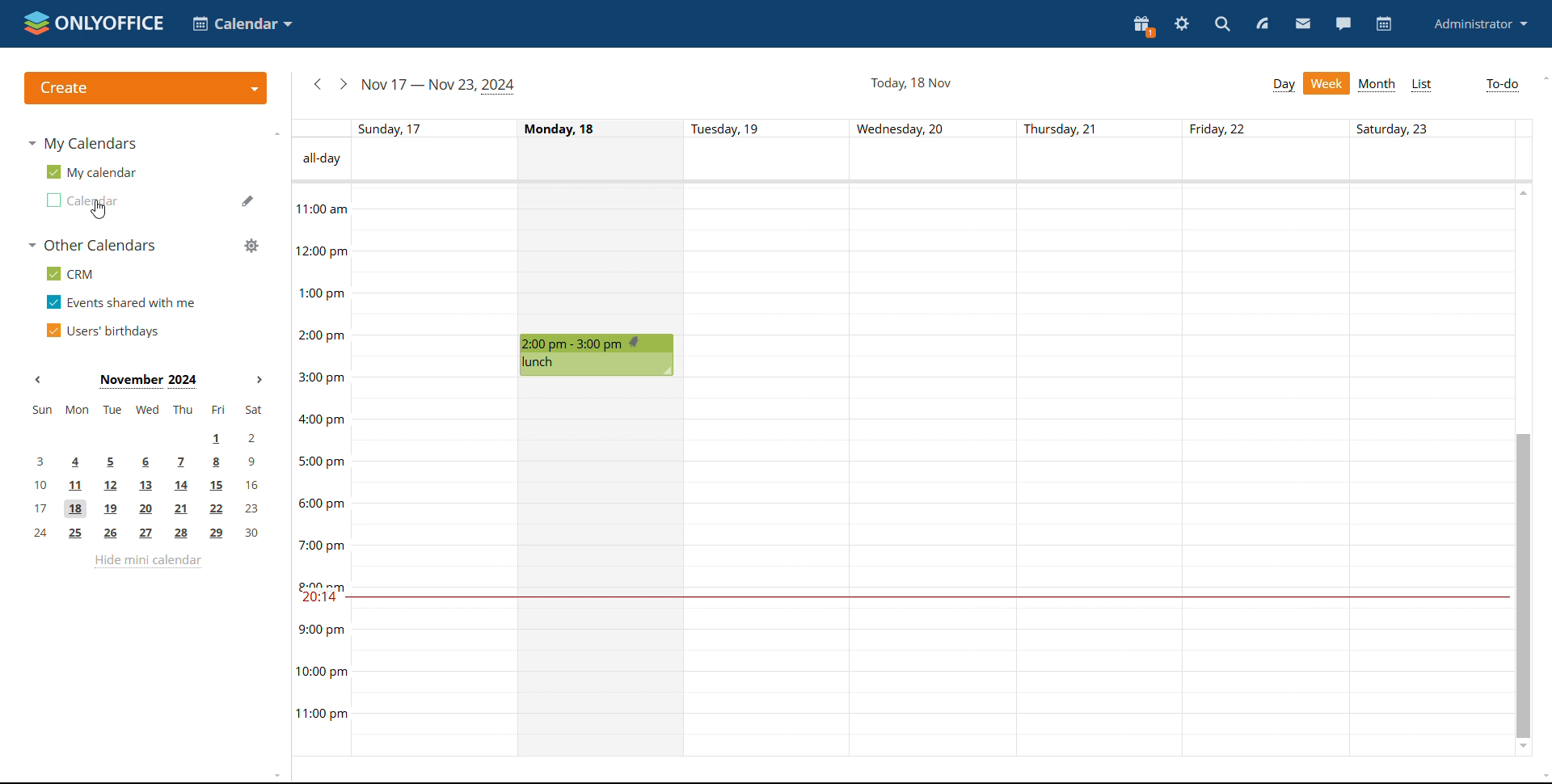 Image resolution: width=1552 pixels, height=784 pixels. Describe the element at coordinates (322, 159) in the screenshot. I see `all-day` at that location.